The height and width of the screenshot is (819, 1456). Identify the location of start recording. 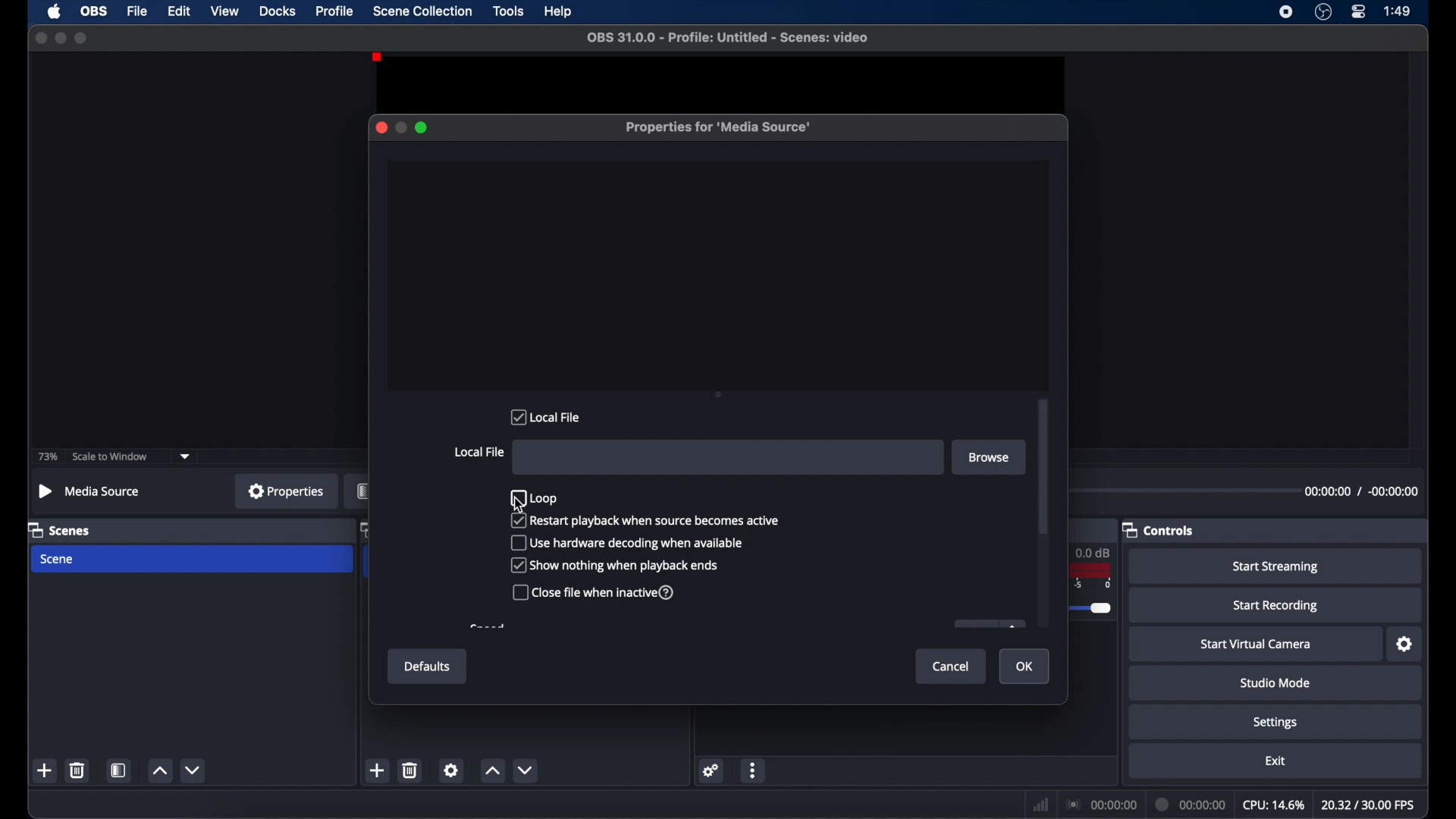
(1277, 605).